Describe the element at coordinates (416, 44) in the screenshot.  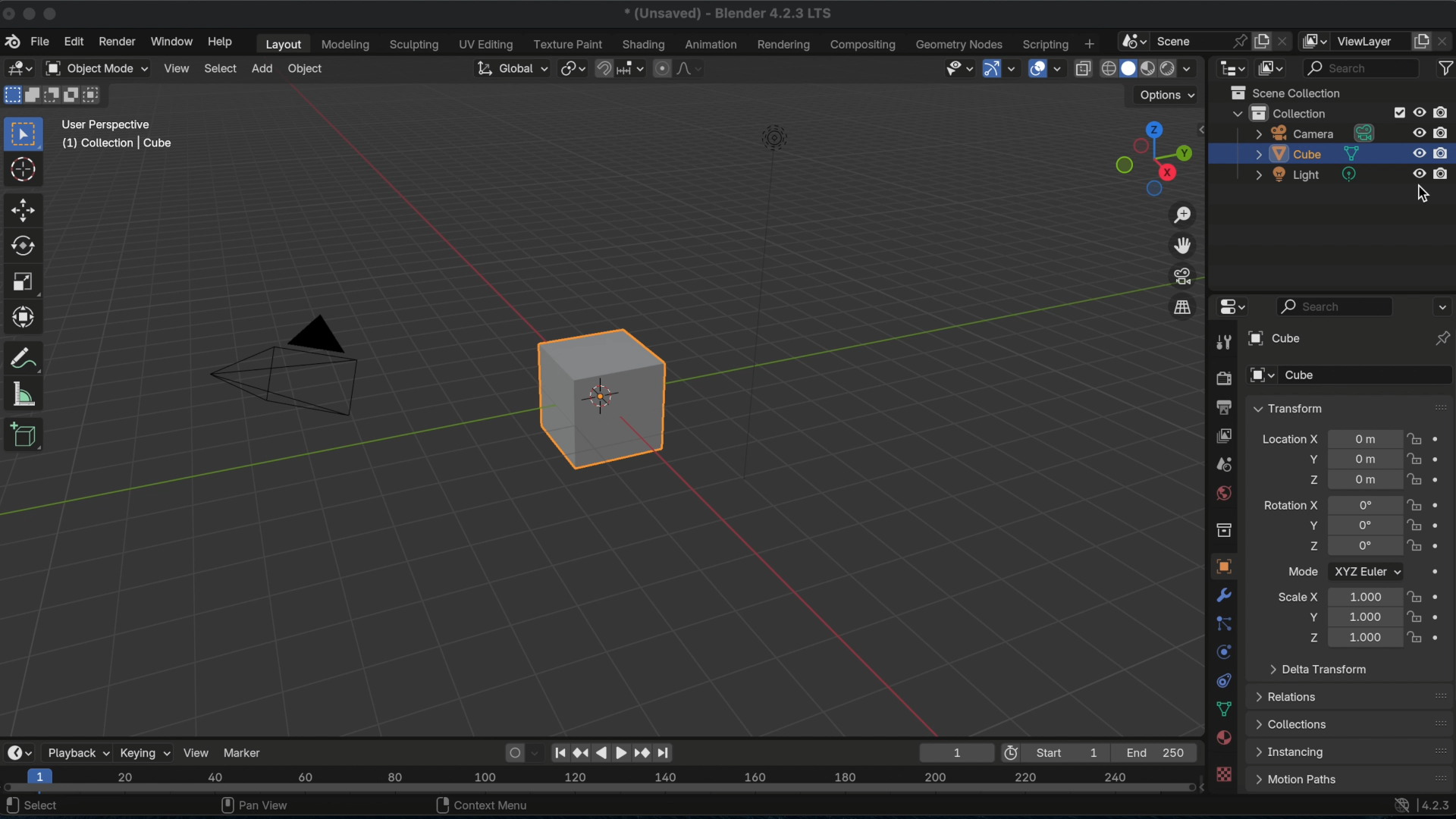
I see `sculpting` at that location.